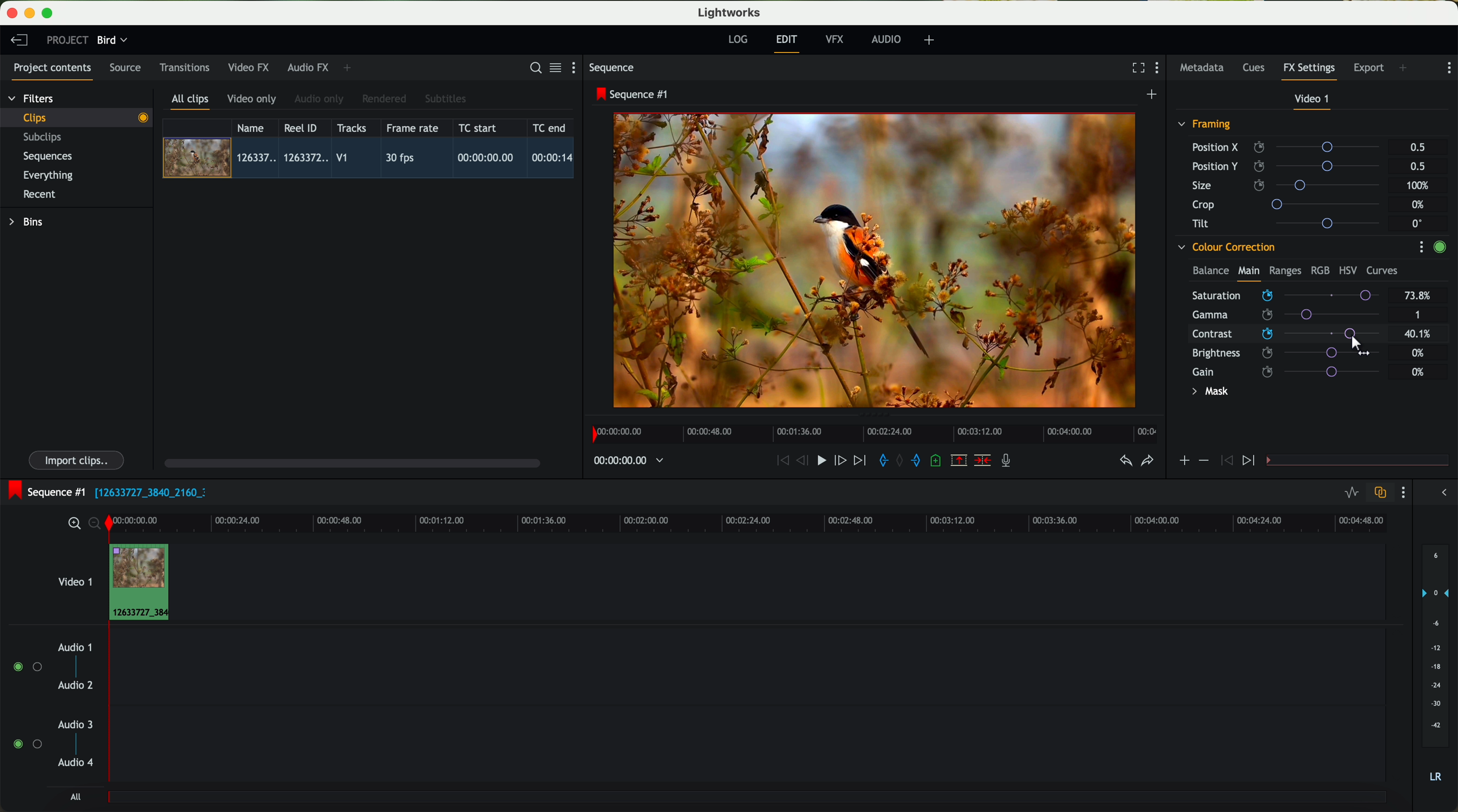  I want to click on 0%, so click(1418, 351).